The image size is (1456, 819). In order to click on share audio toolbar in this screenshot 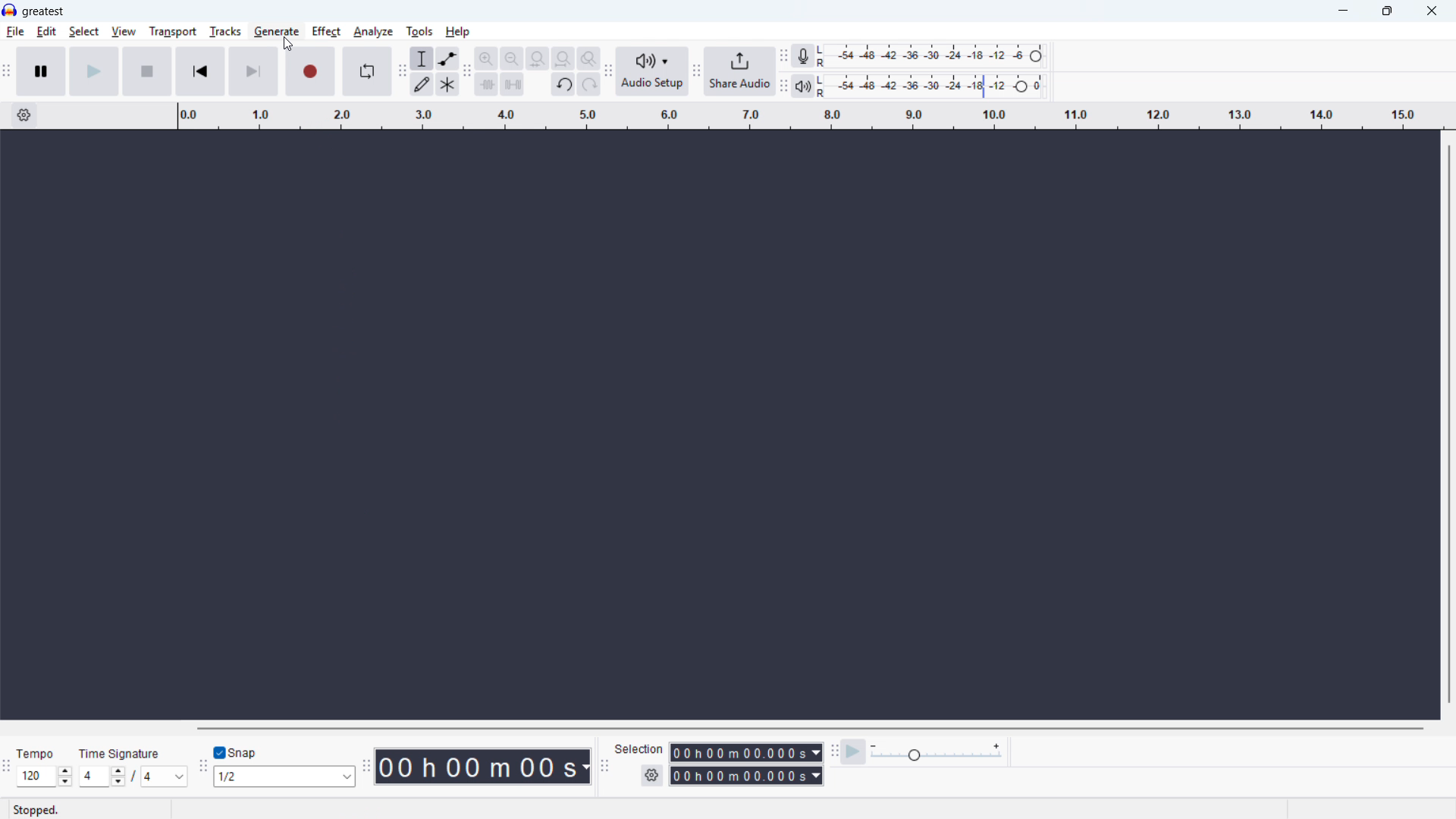, I will do `click(696, 73)`.